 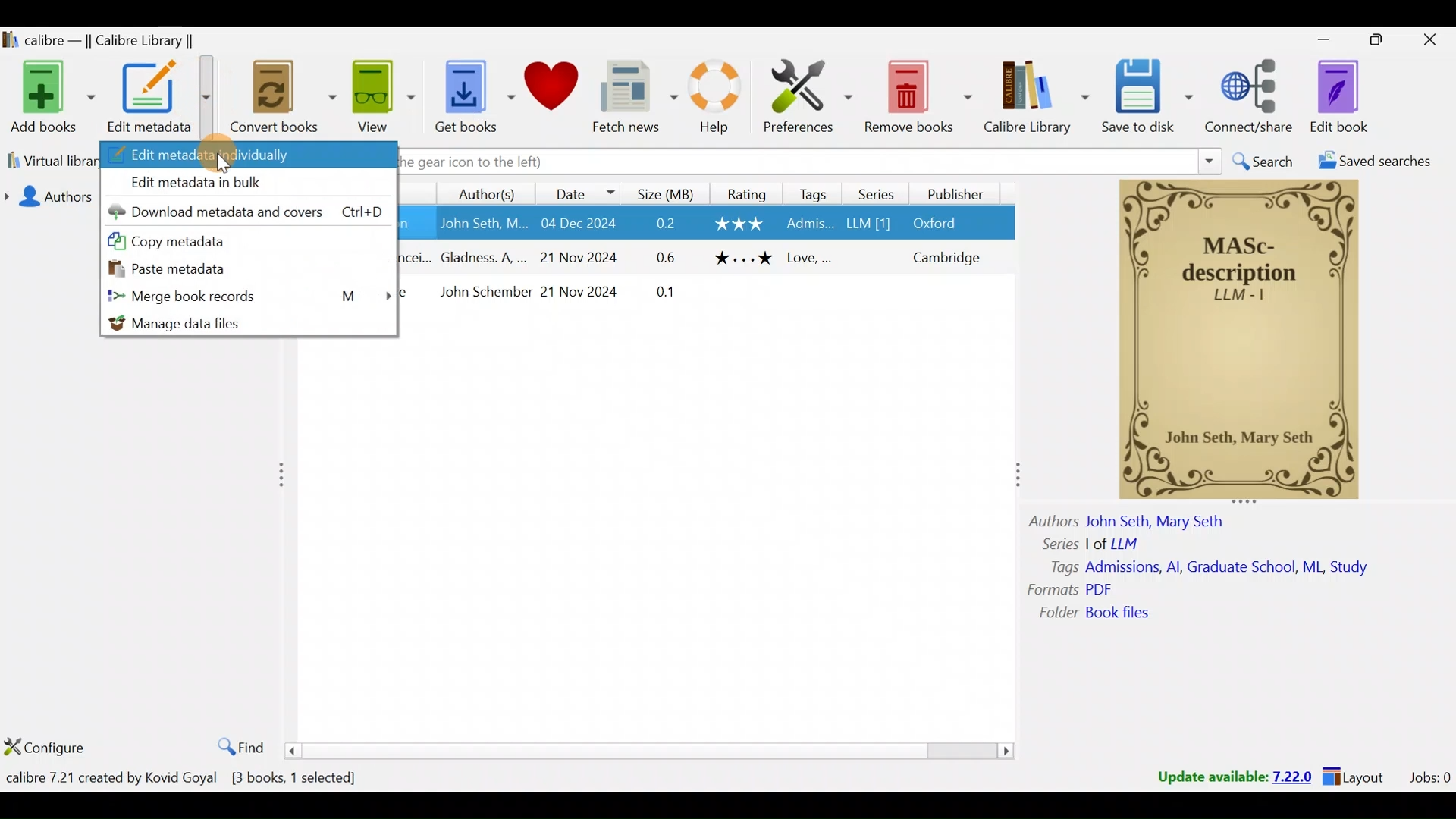 What do you see at coordinates (1053, 590) in the screenshot?
I see `` at bounding box center [1053, 590].